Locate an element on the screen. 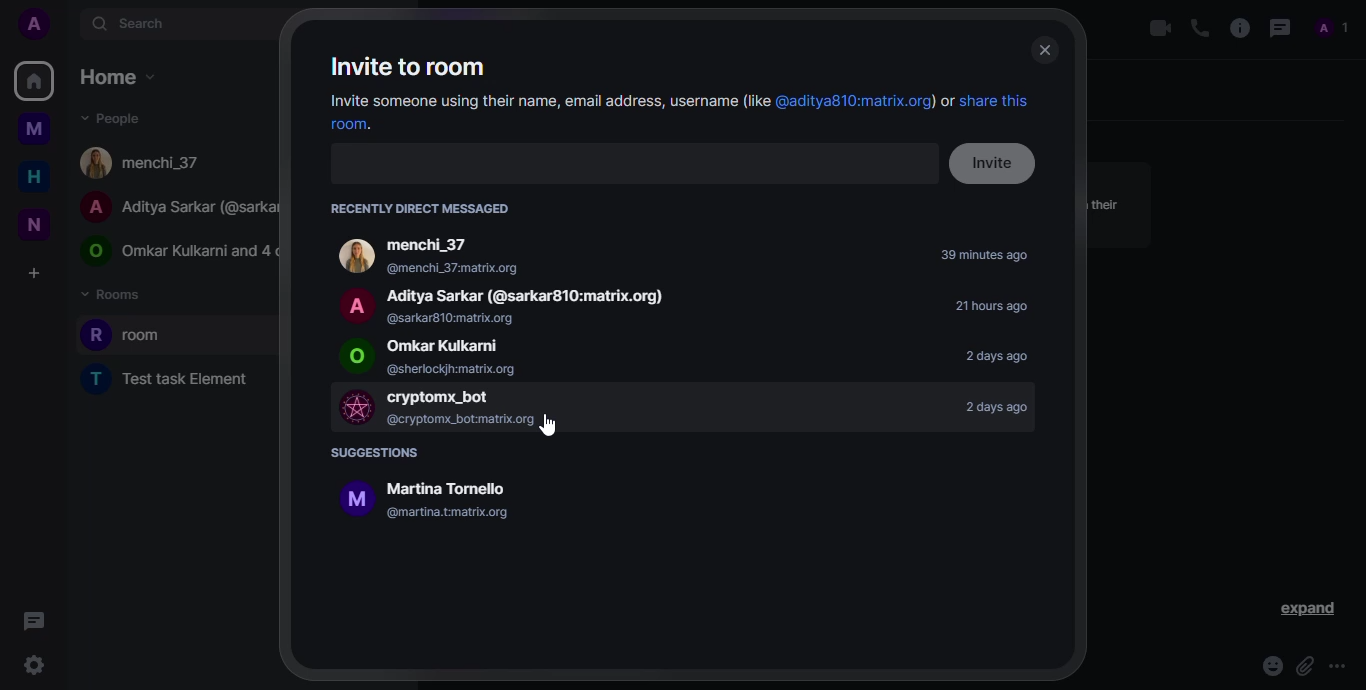  people is located at coordinates (143, 163).